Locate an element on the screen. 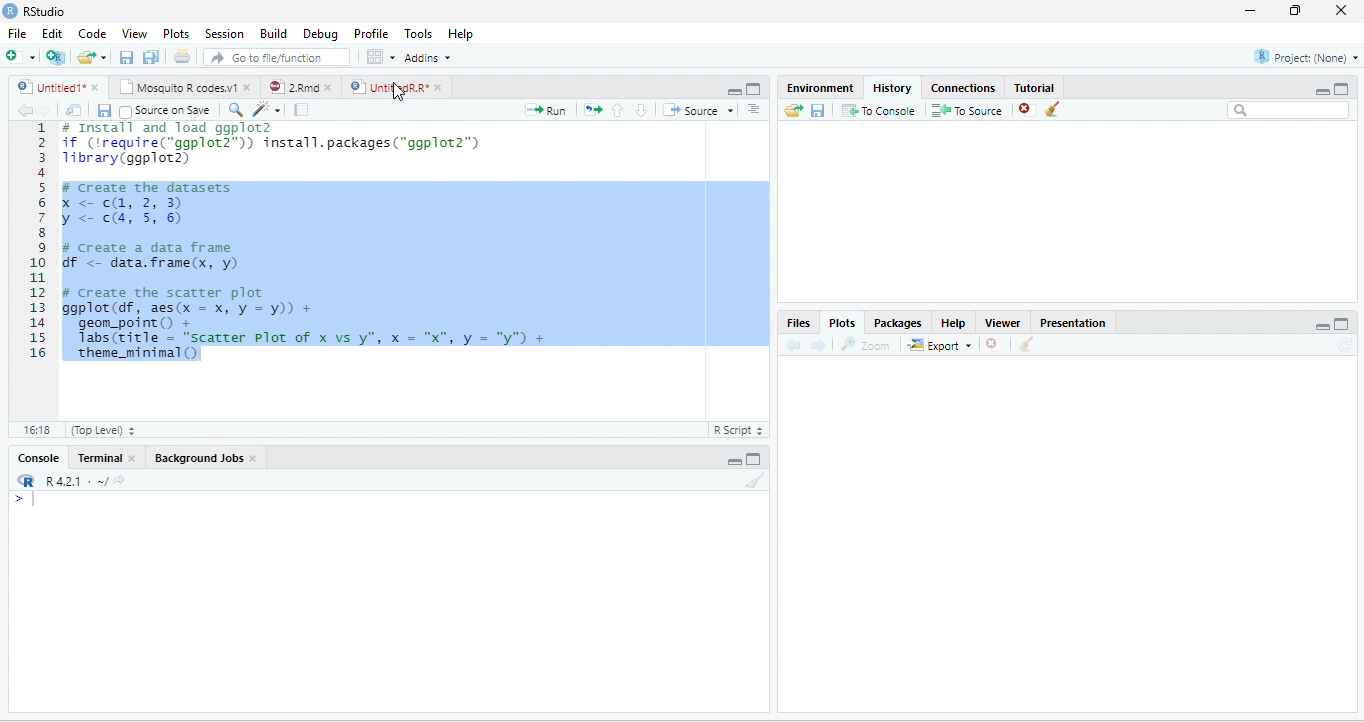  Source on Save is located at coordinates (166, 112).